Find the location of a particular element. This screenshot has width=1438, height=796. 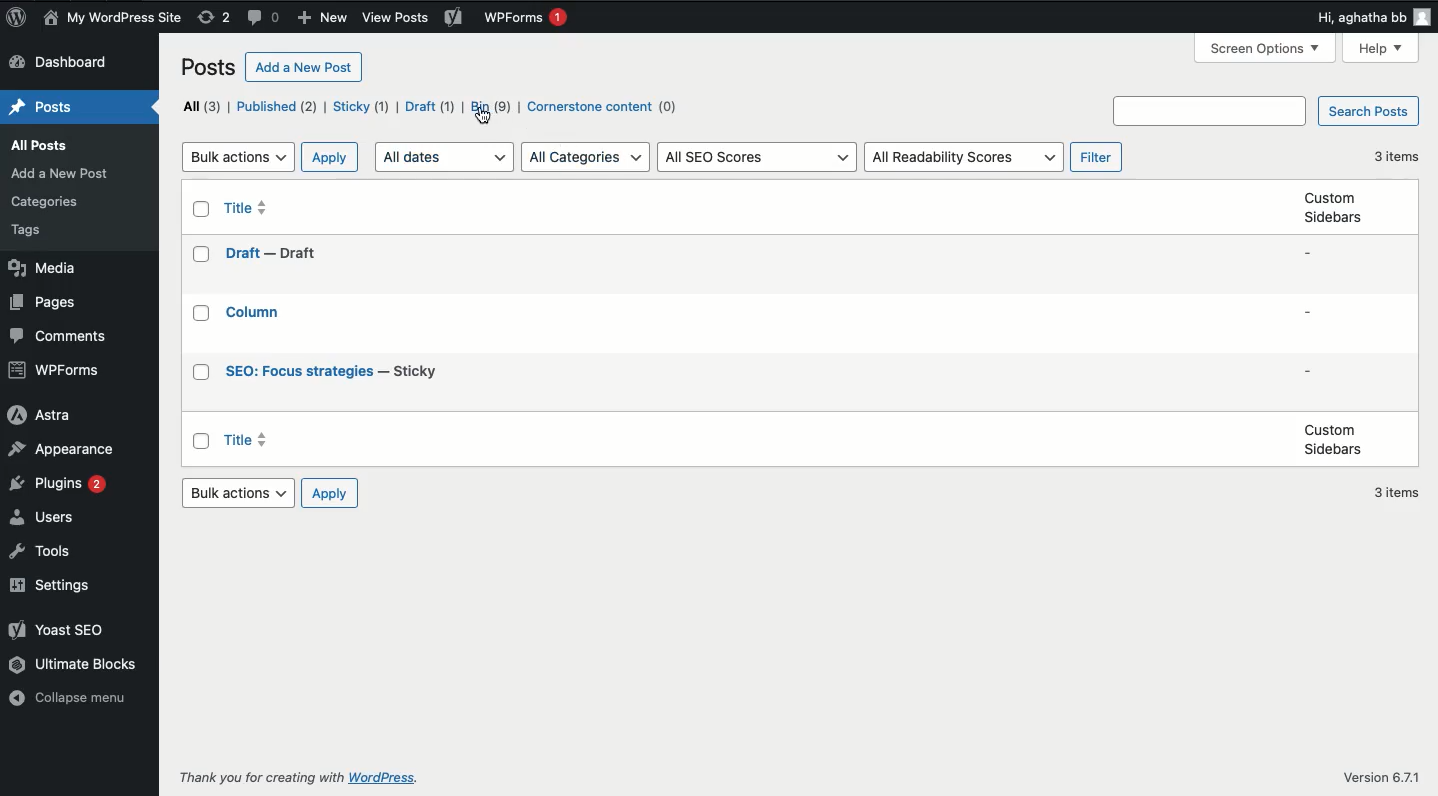

Astra is located at coordinates (43, 416).